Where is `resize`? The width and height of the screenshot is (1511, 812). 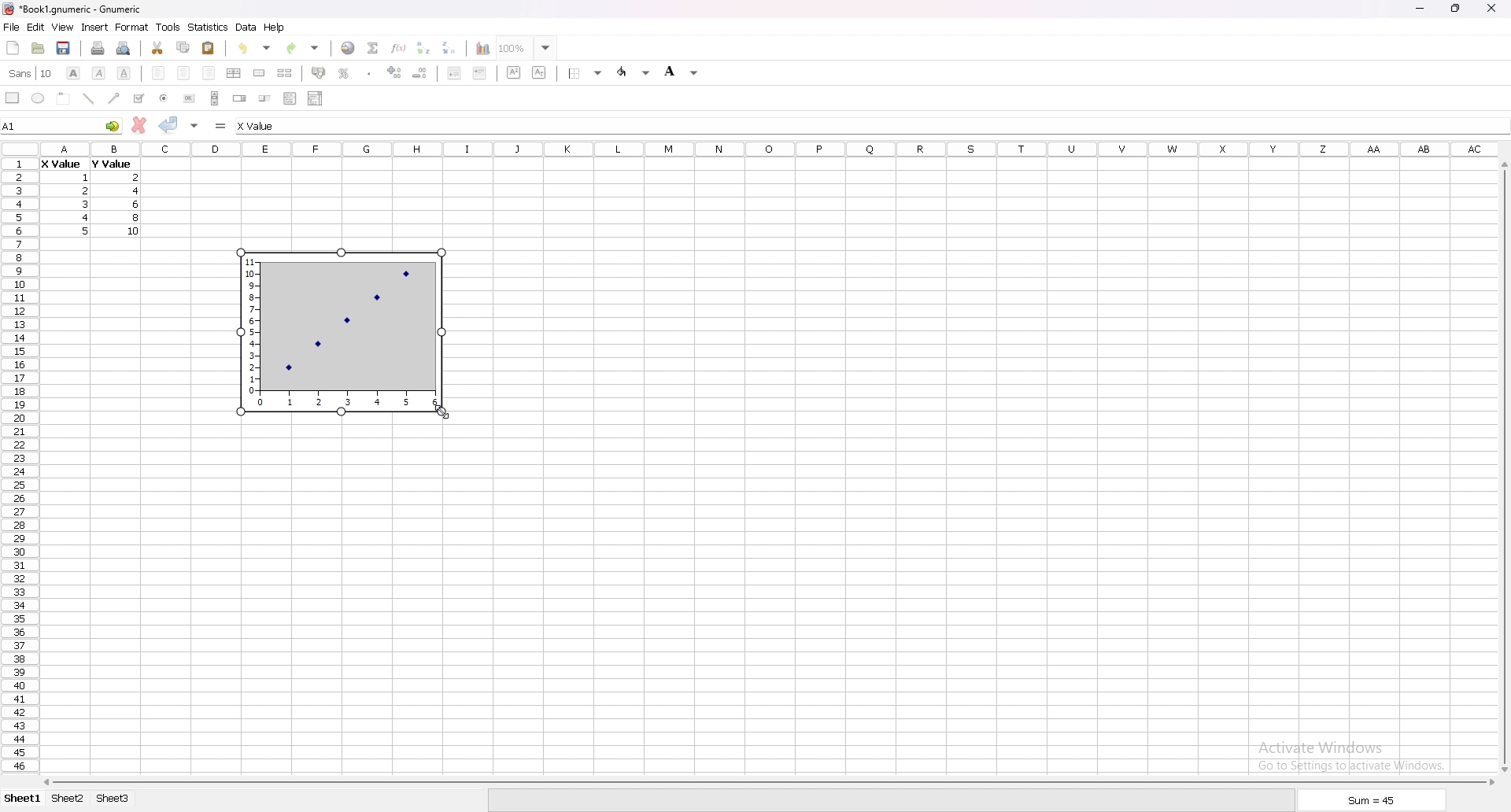 resize is located at coordinates (1457, 9).